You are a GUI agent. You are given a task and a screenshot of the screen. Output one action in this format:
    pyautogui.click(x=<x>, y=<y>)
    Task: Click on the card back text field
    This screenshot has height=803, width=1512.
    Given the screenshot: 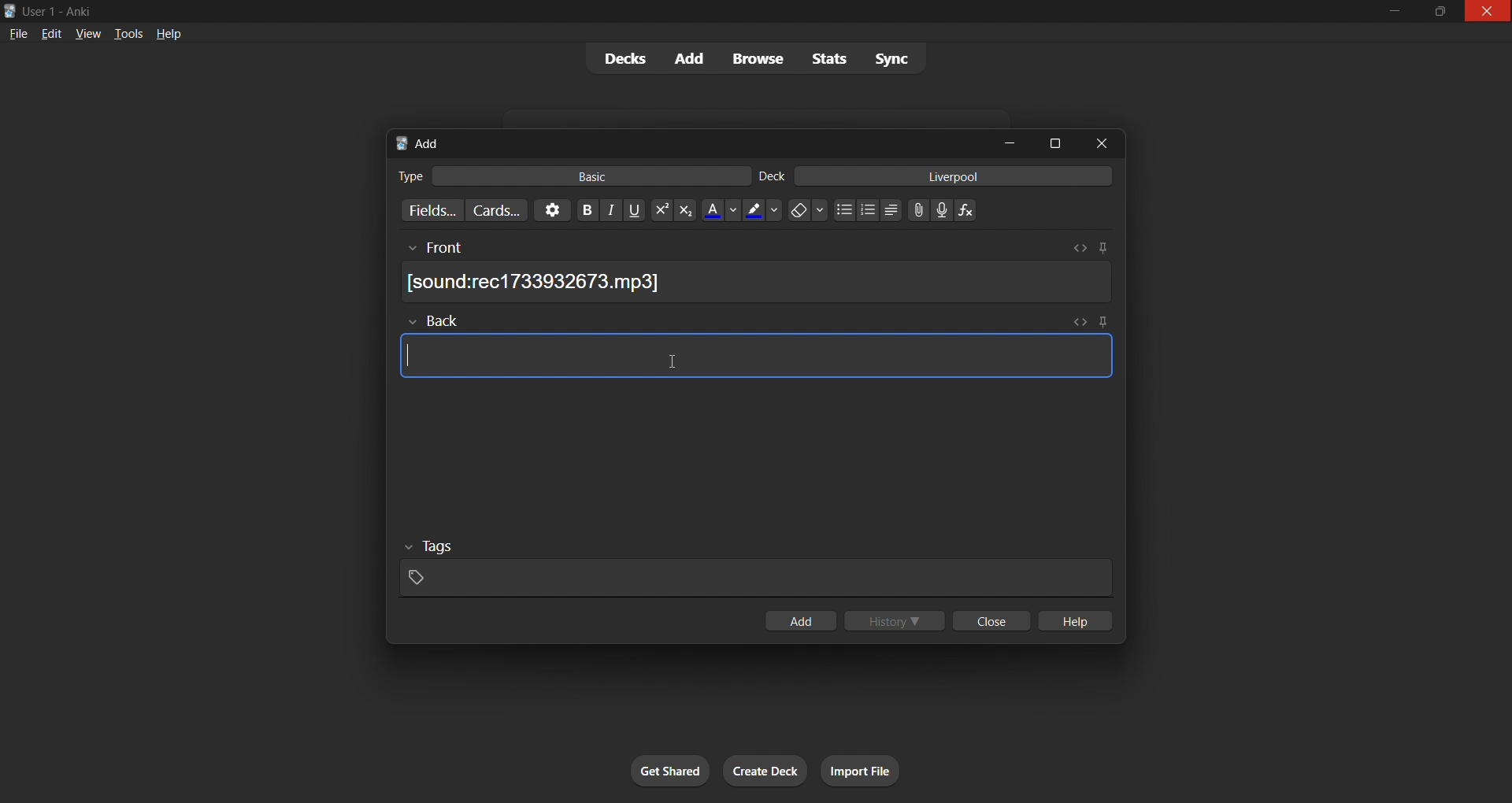 What is the action you would take?
    pyautogui.click(x=756, y=358)
    